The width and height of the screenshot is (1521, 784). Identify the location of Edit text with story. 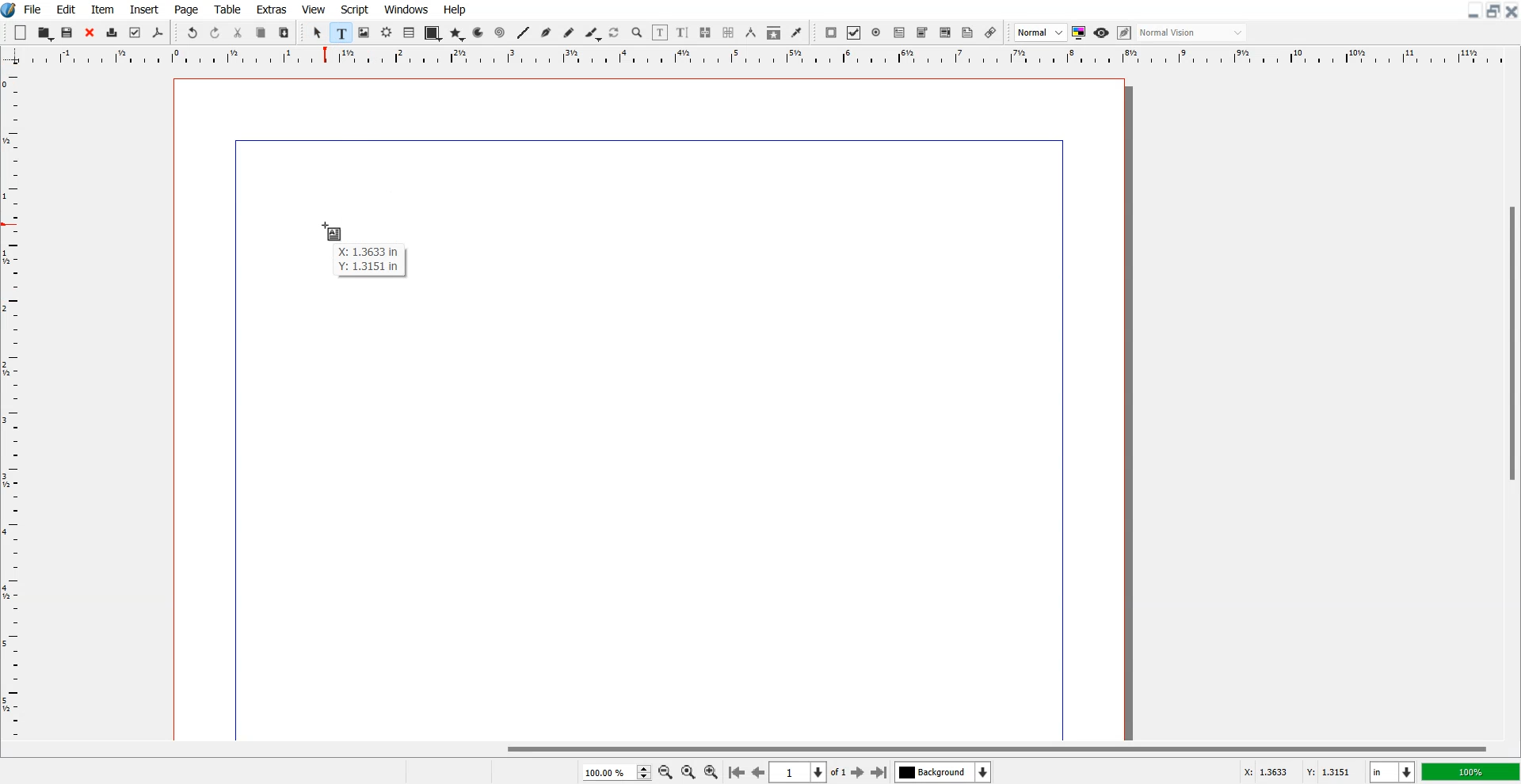
(684, 33).